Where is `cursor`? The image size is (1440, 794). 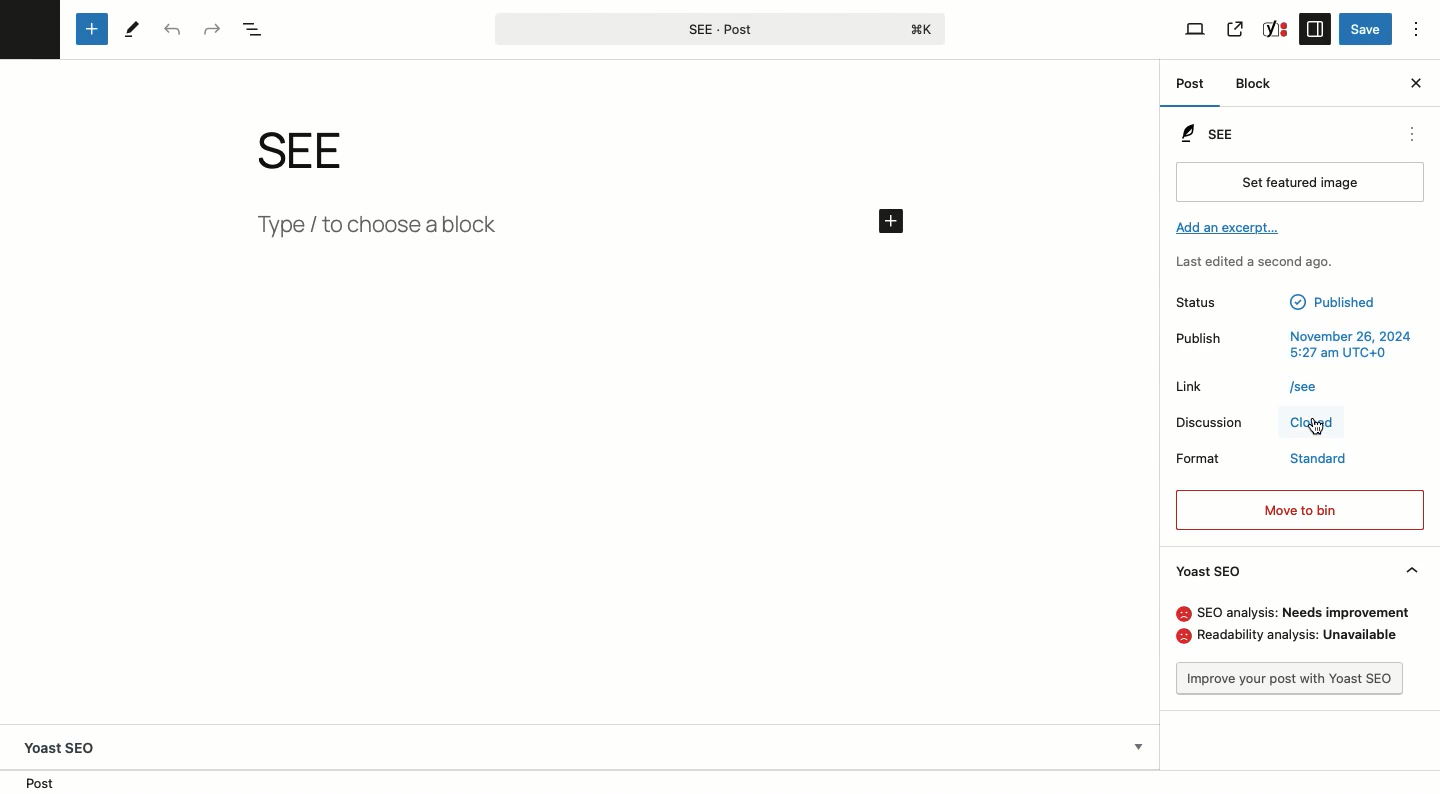
cursor is located at coordinates (1324, 432).